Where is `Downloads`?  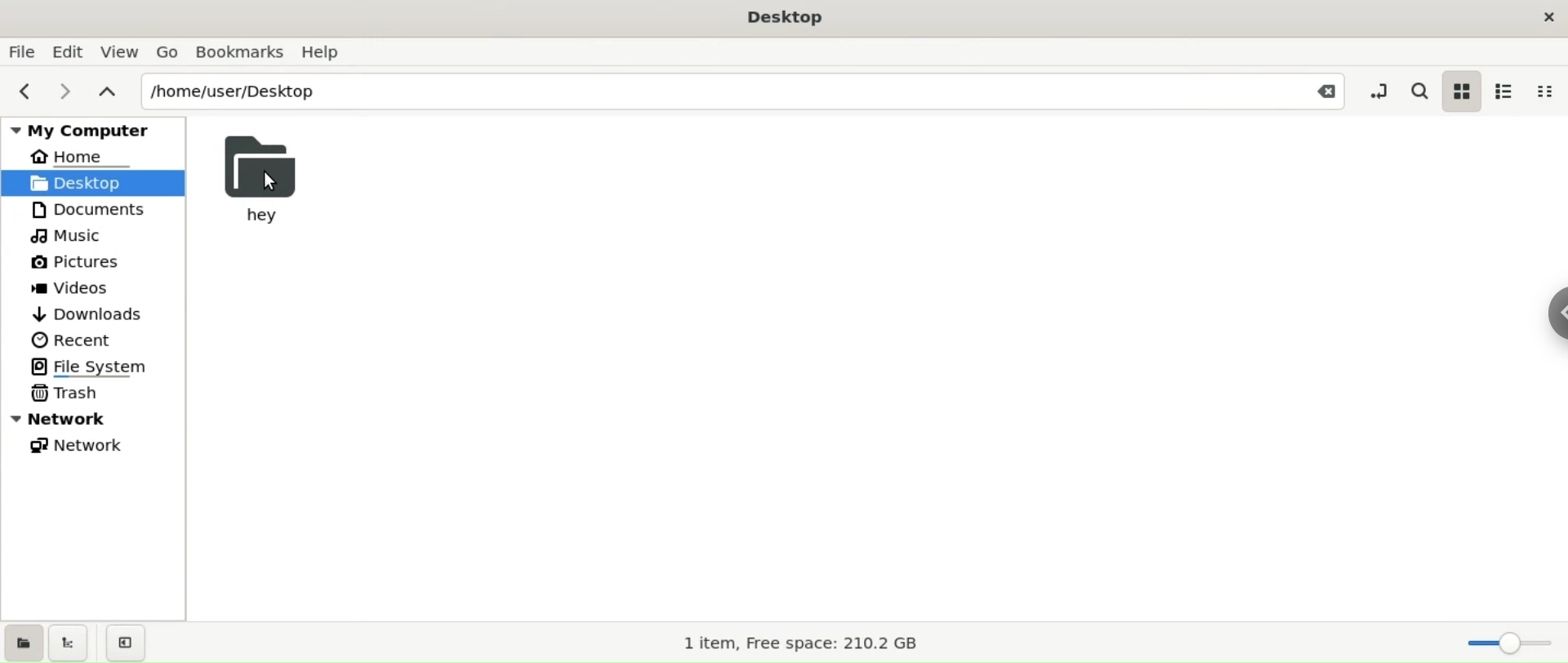 Downloads is located at coordinates (87, 314).